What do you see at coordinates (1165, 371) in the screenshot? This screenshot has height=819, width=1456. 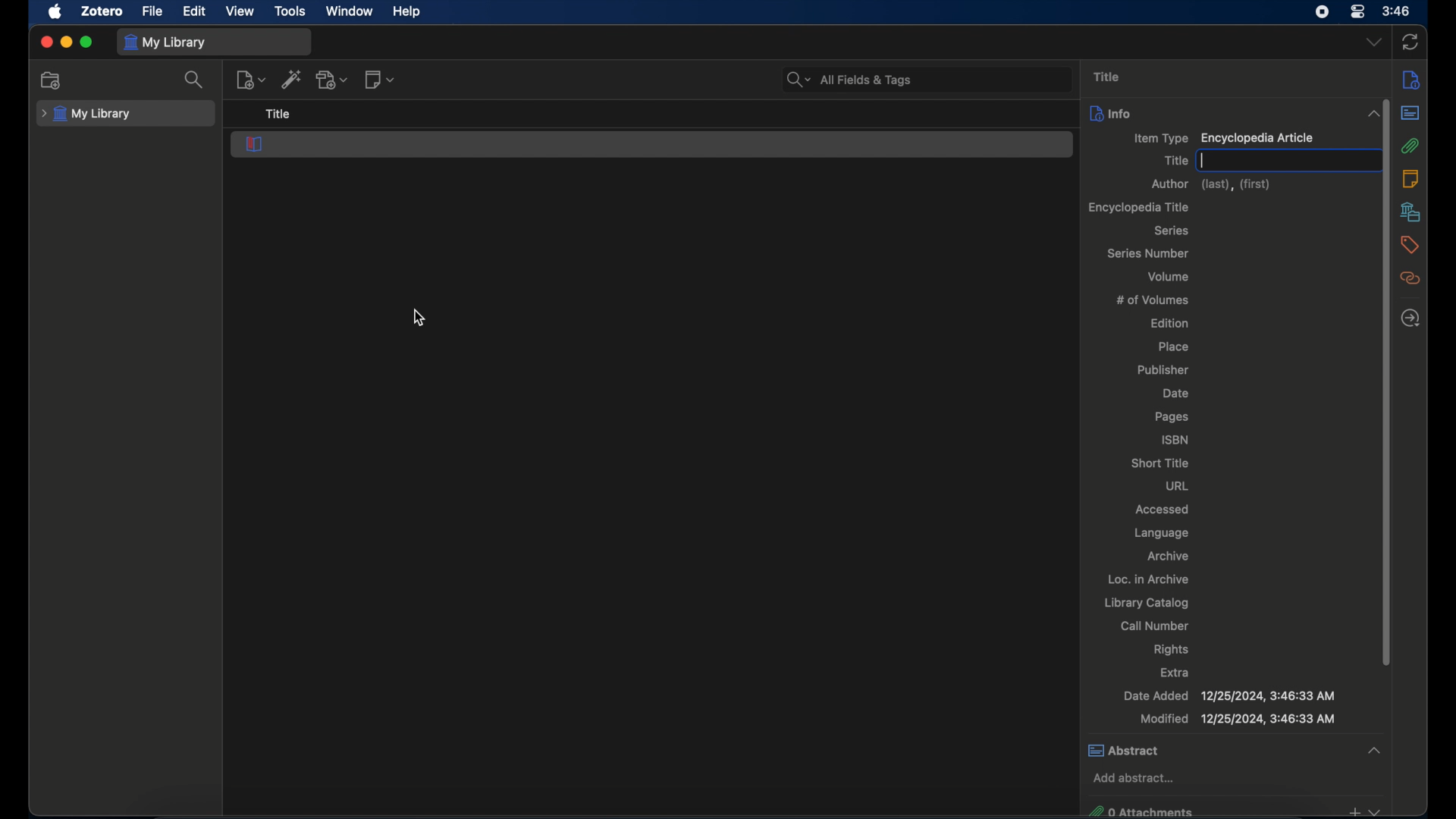 I see `publisher` at bounding box center [1165, 371].